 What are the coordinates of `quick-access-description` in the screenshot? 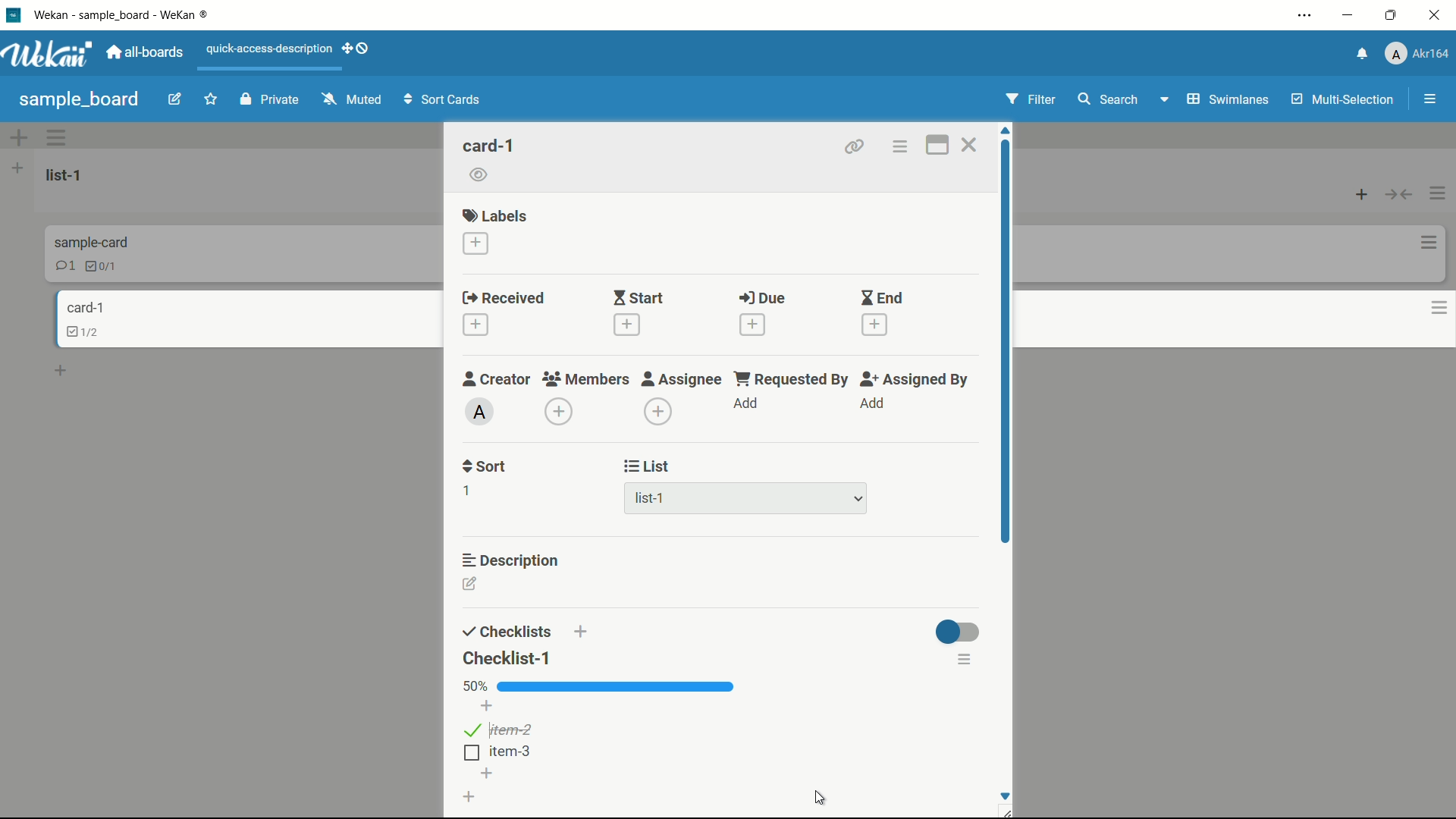 It's located at (270, 50).